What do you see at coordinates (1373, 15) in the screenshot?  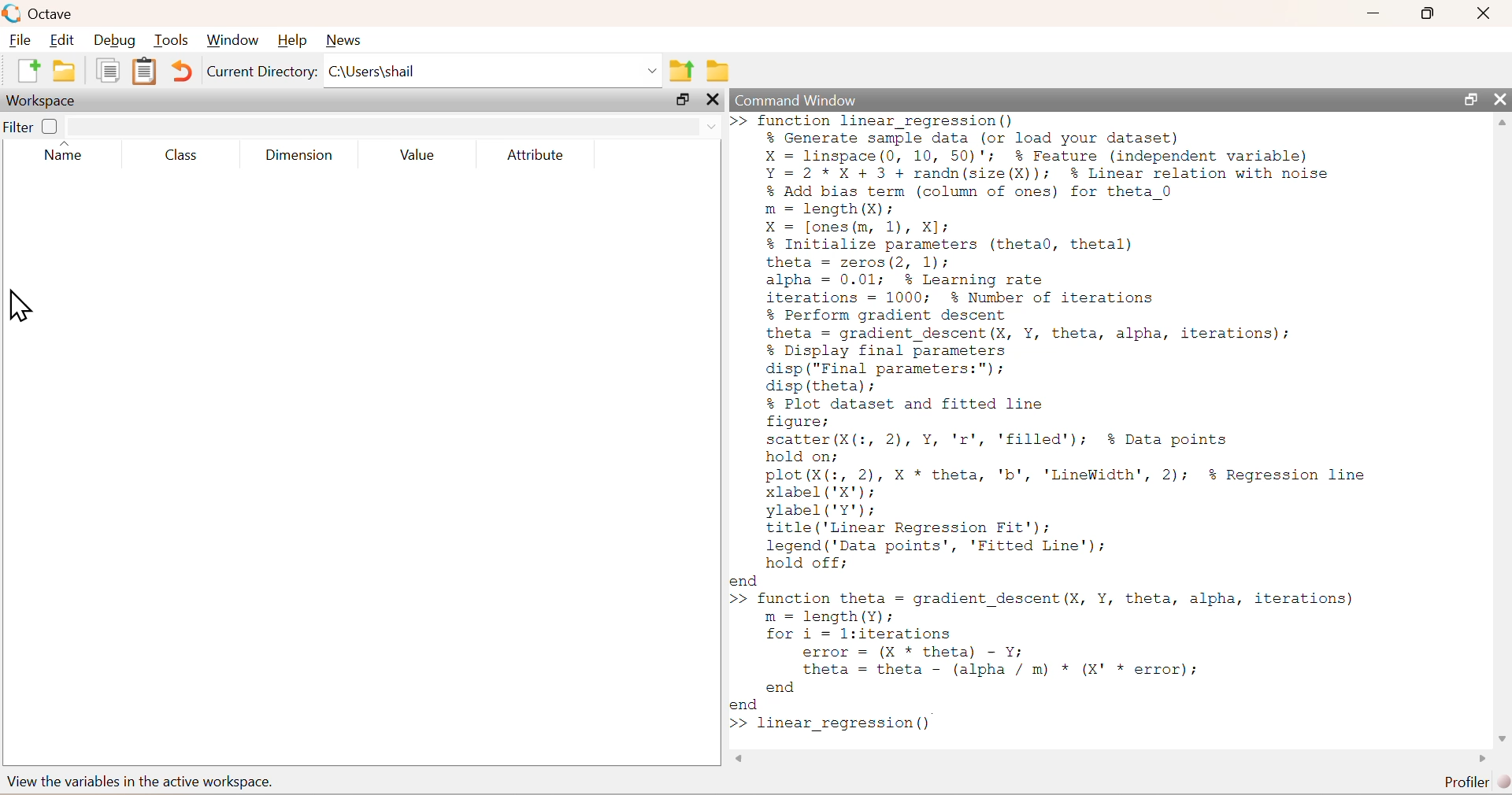 I see `minimize` at bounding box center [1373, 15].